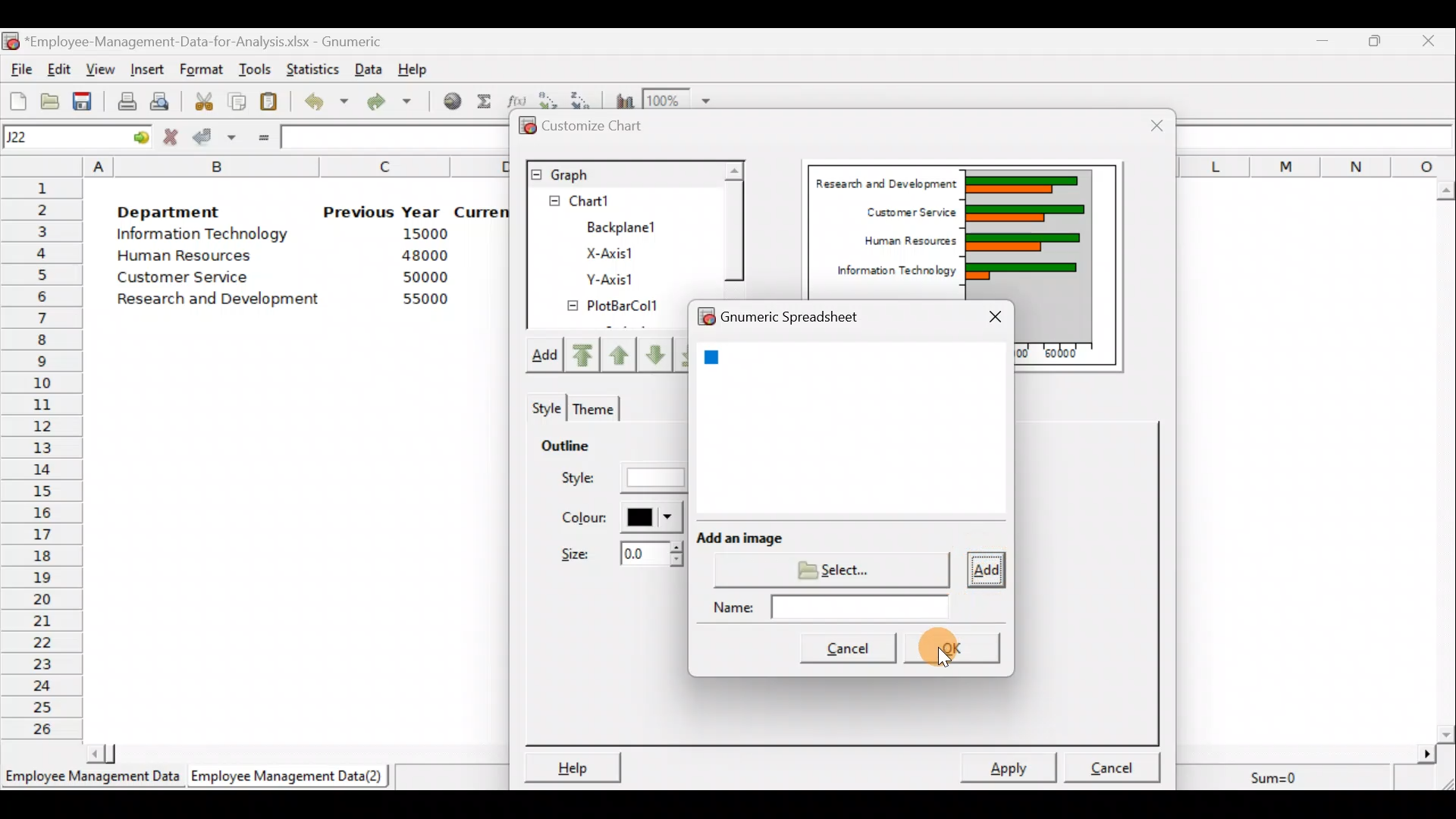 This screenshot has width=1456, height=819. What do you see at coordinates (597, 406) in the screenshot?
I see `Theme` at bounding box center [597, 406].